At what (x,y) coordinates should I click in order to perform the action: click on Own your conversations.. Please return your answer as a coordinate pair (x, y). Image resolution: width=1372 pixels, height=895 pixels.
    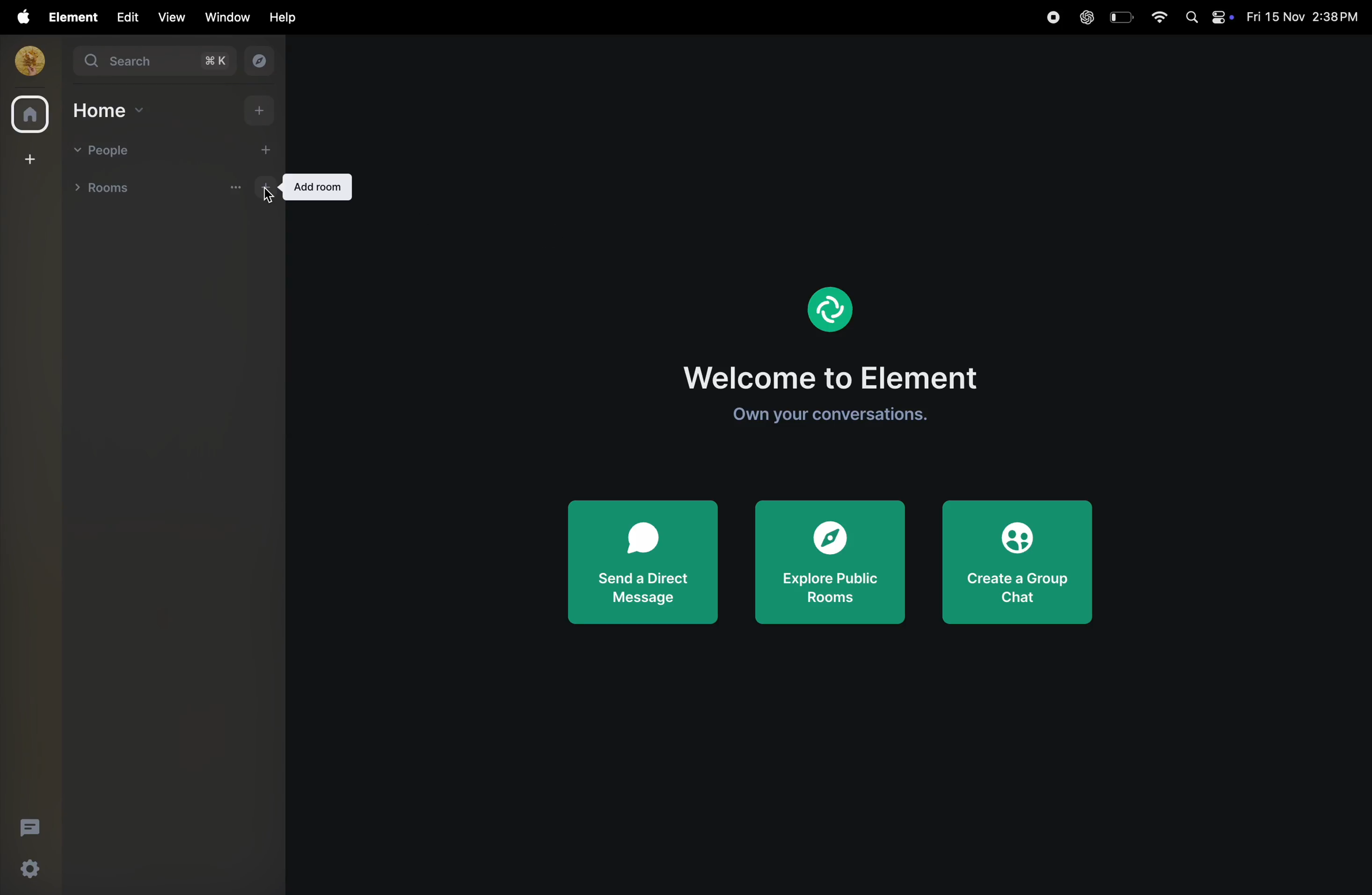
    Looking at the image, I should click on (826, 416).